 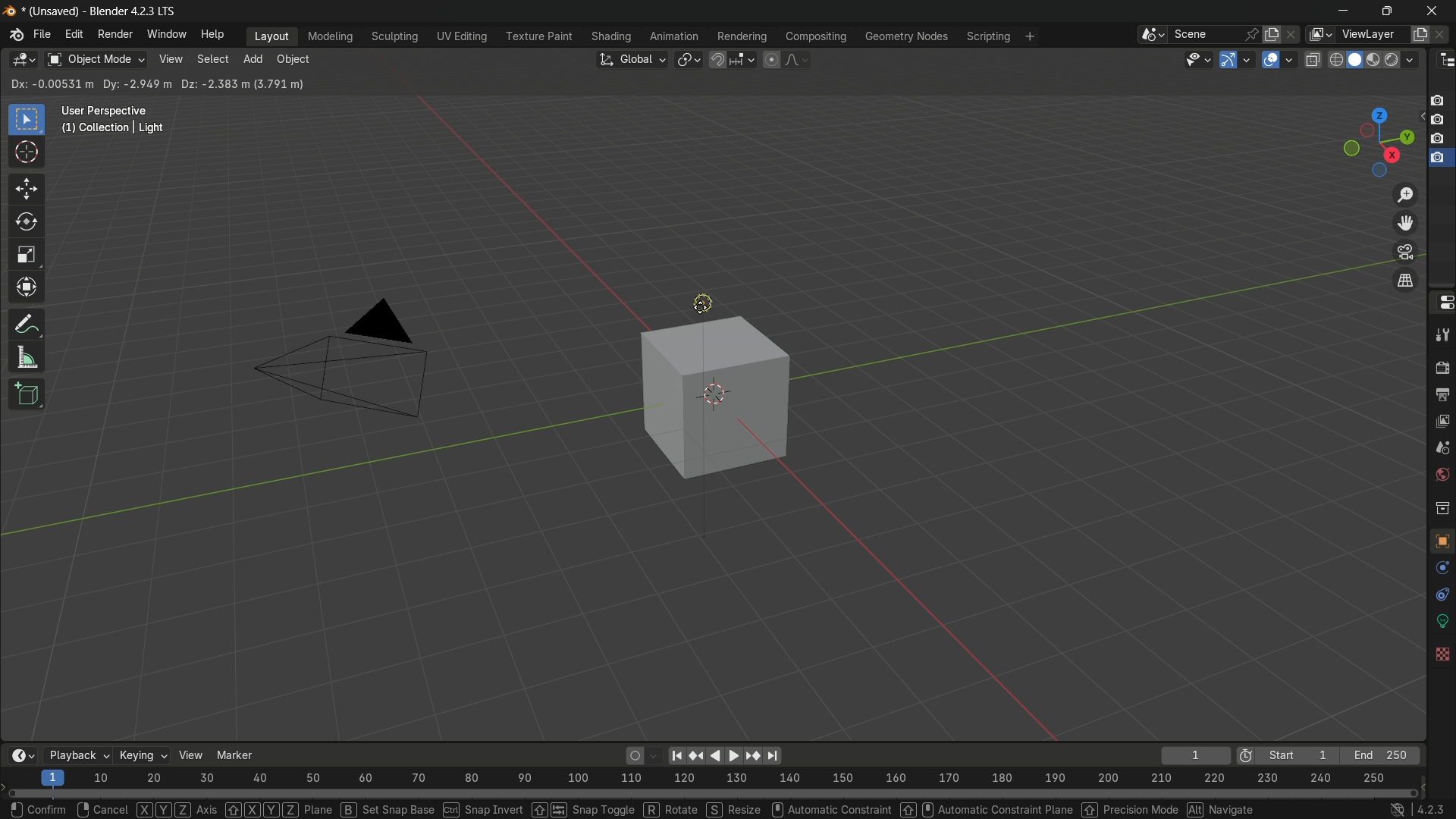 I want to click on toggle x-ray, so click(x=1313, y=61).